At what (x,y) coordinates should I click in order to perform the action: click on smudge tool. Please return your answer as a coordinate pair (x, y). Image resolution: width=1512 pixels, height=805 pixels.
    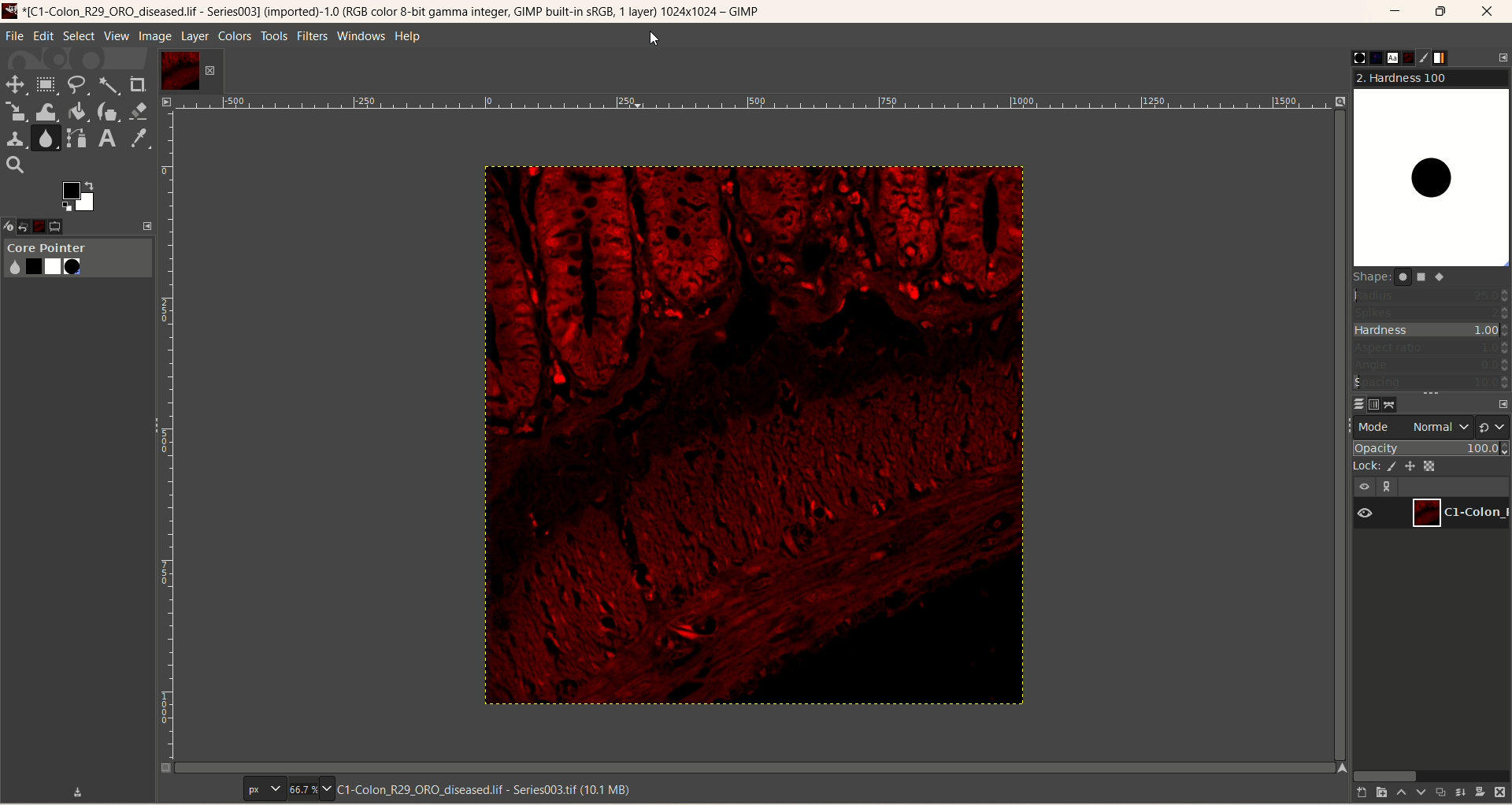
    Looking at the image, I should click on (47, 138).